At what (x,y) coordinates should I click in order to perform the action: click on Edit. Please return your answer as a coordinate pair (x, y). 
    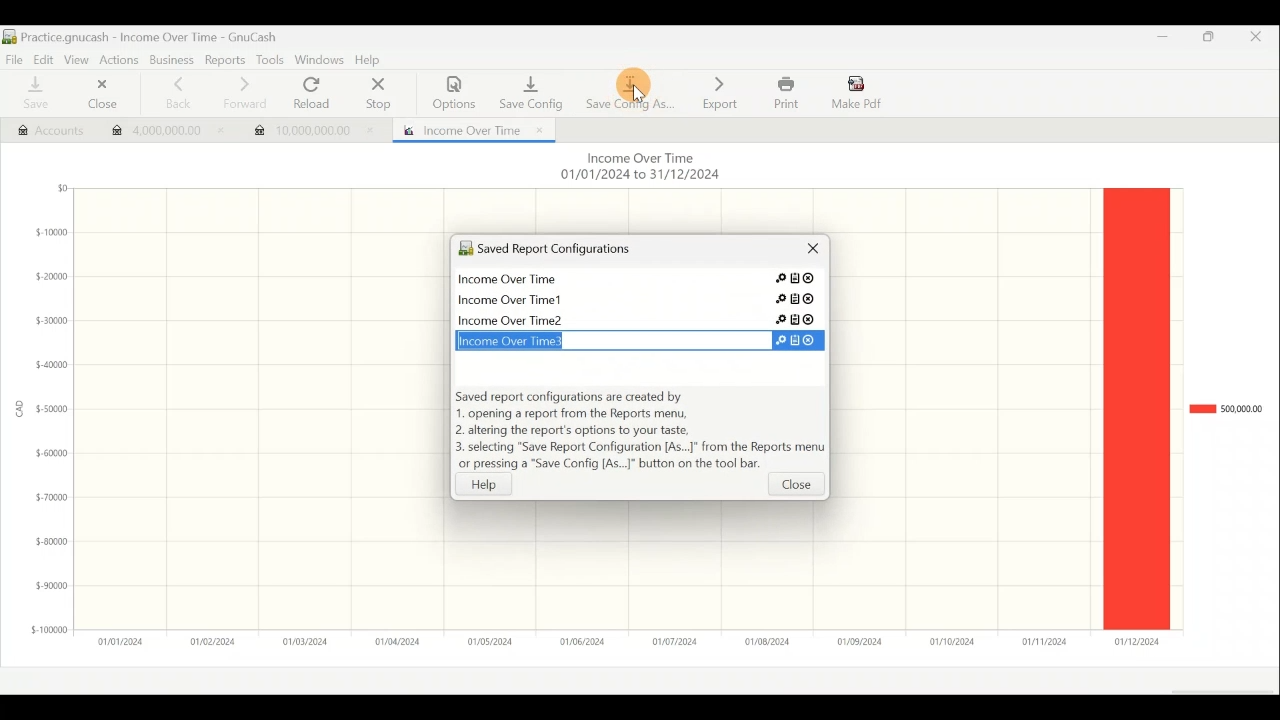
    Looking at the image, I should click on (40, 58).